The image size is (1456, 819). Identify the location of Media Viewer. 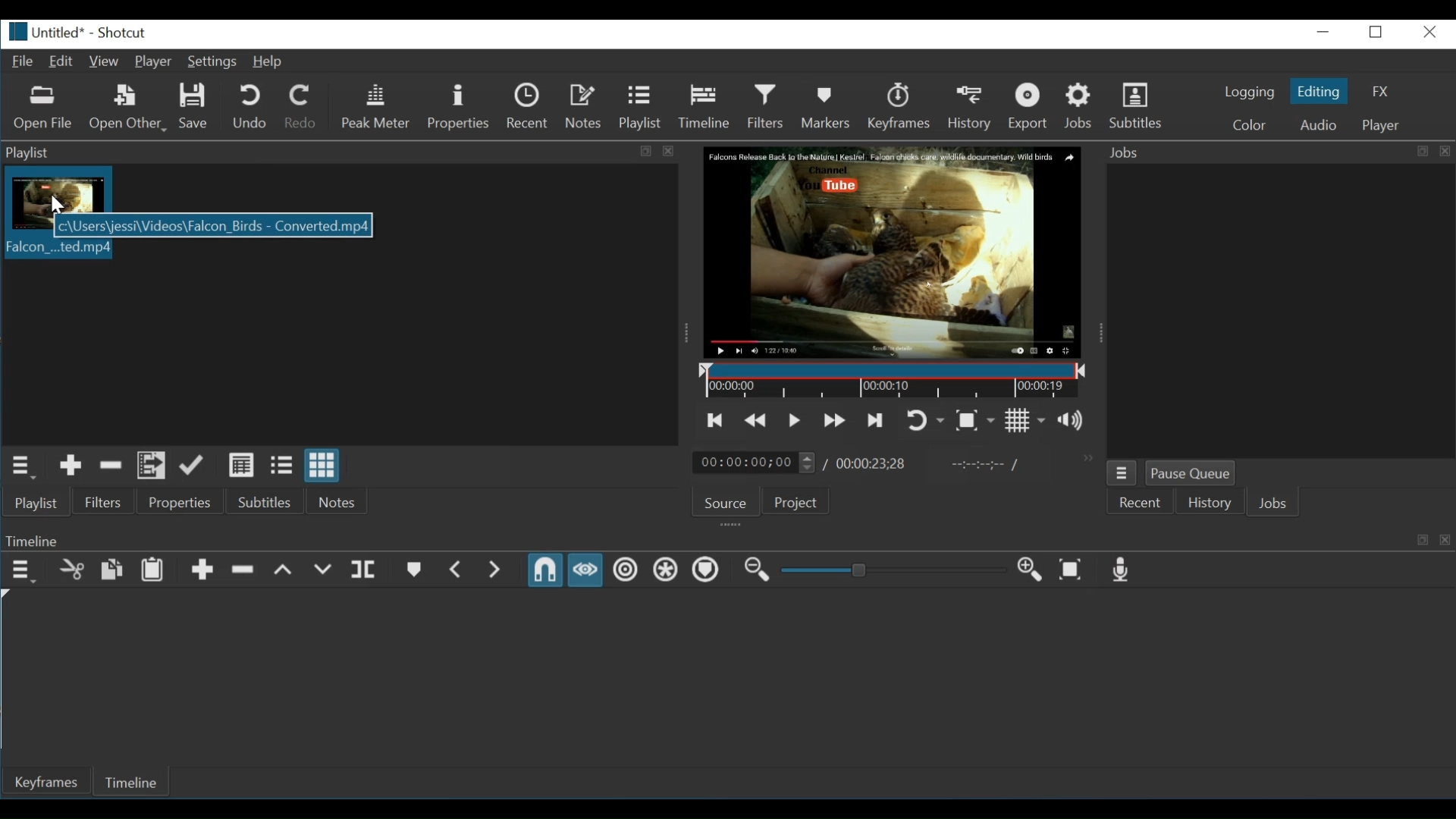
(894, 253).